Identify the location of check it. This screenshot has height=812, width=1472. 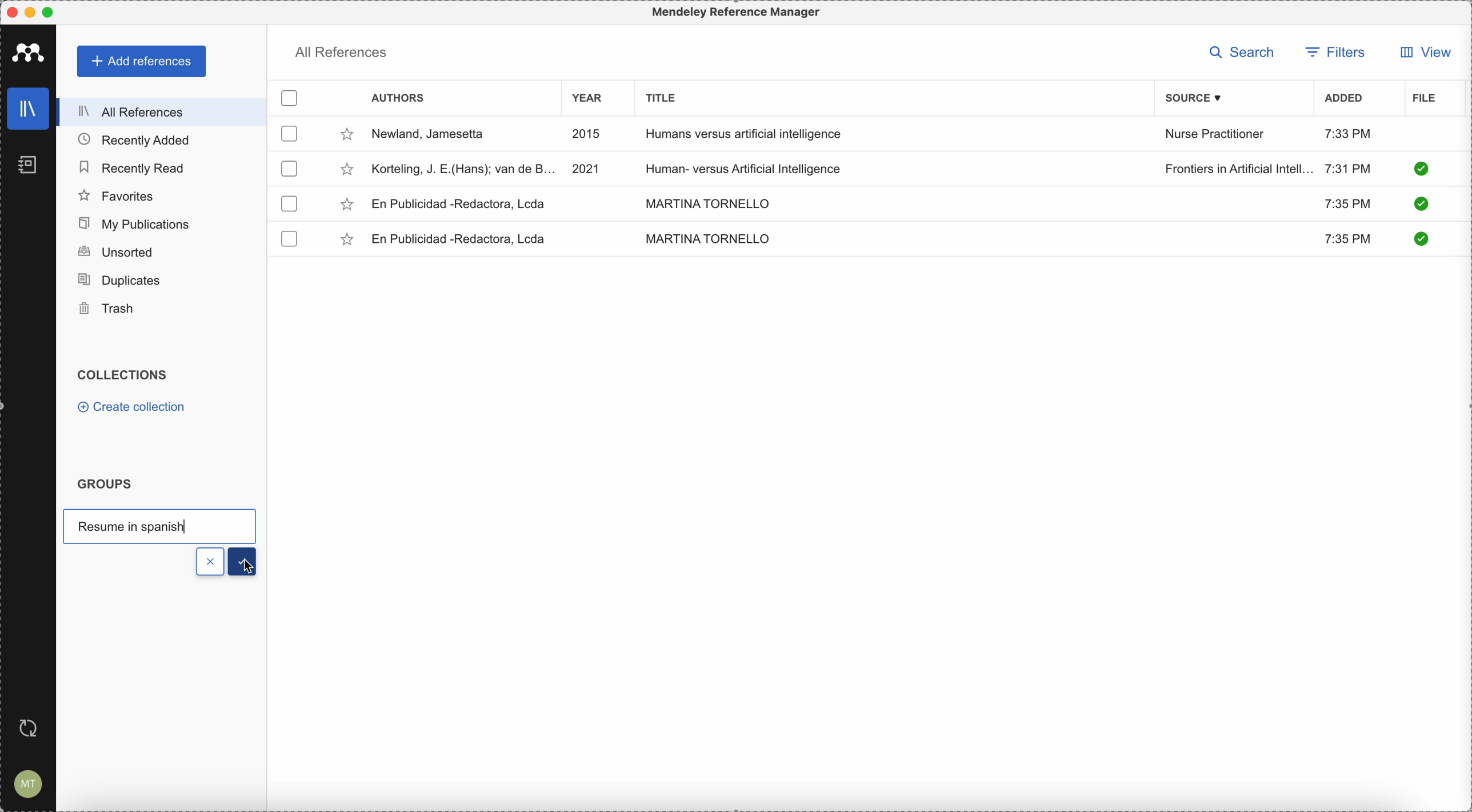
(1421, 169).